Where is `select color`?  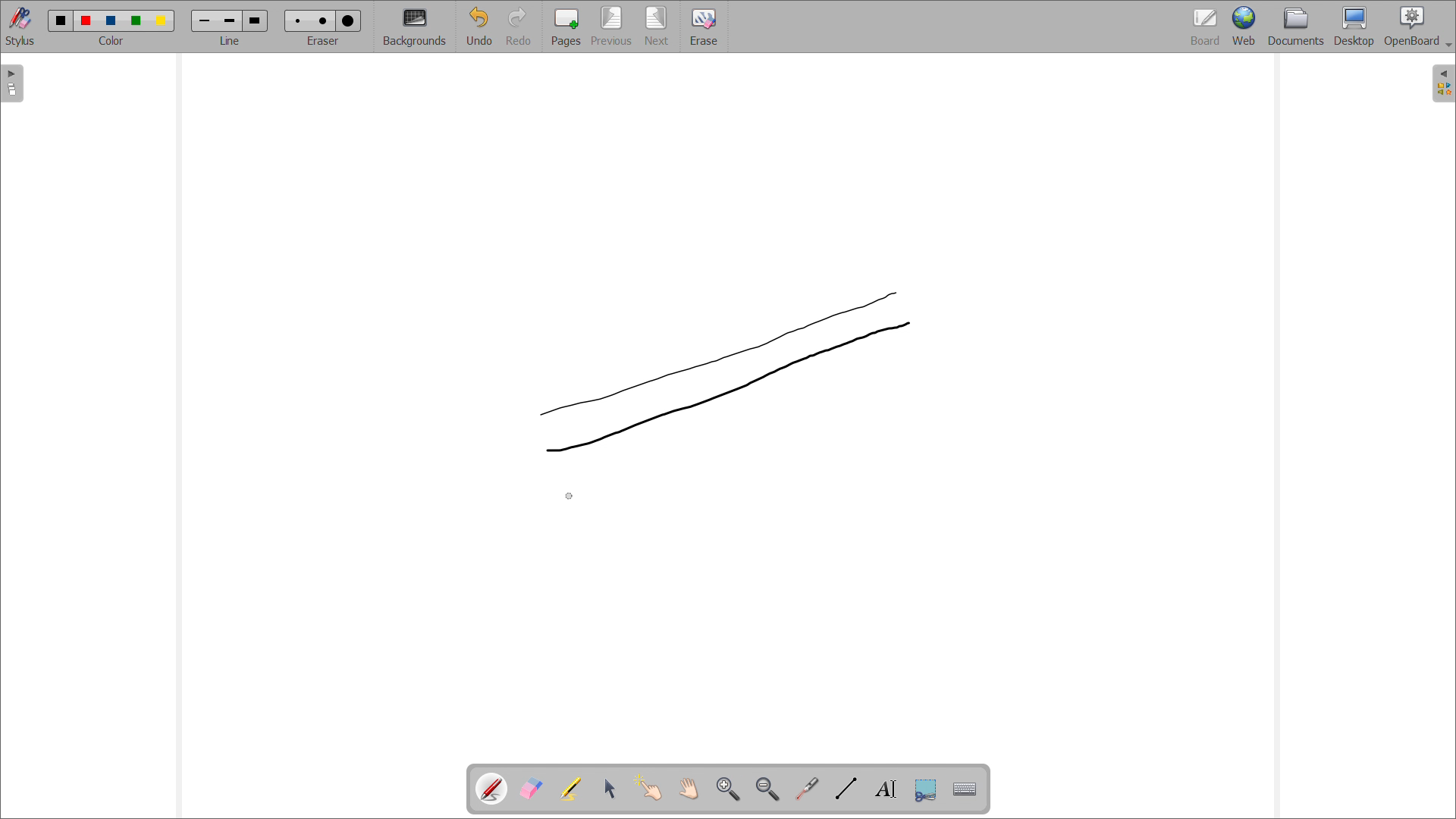 select color is located at coordinates (110, 41).